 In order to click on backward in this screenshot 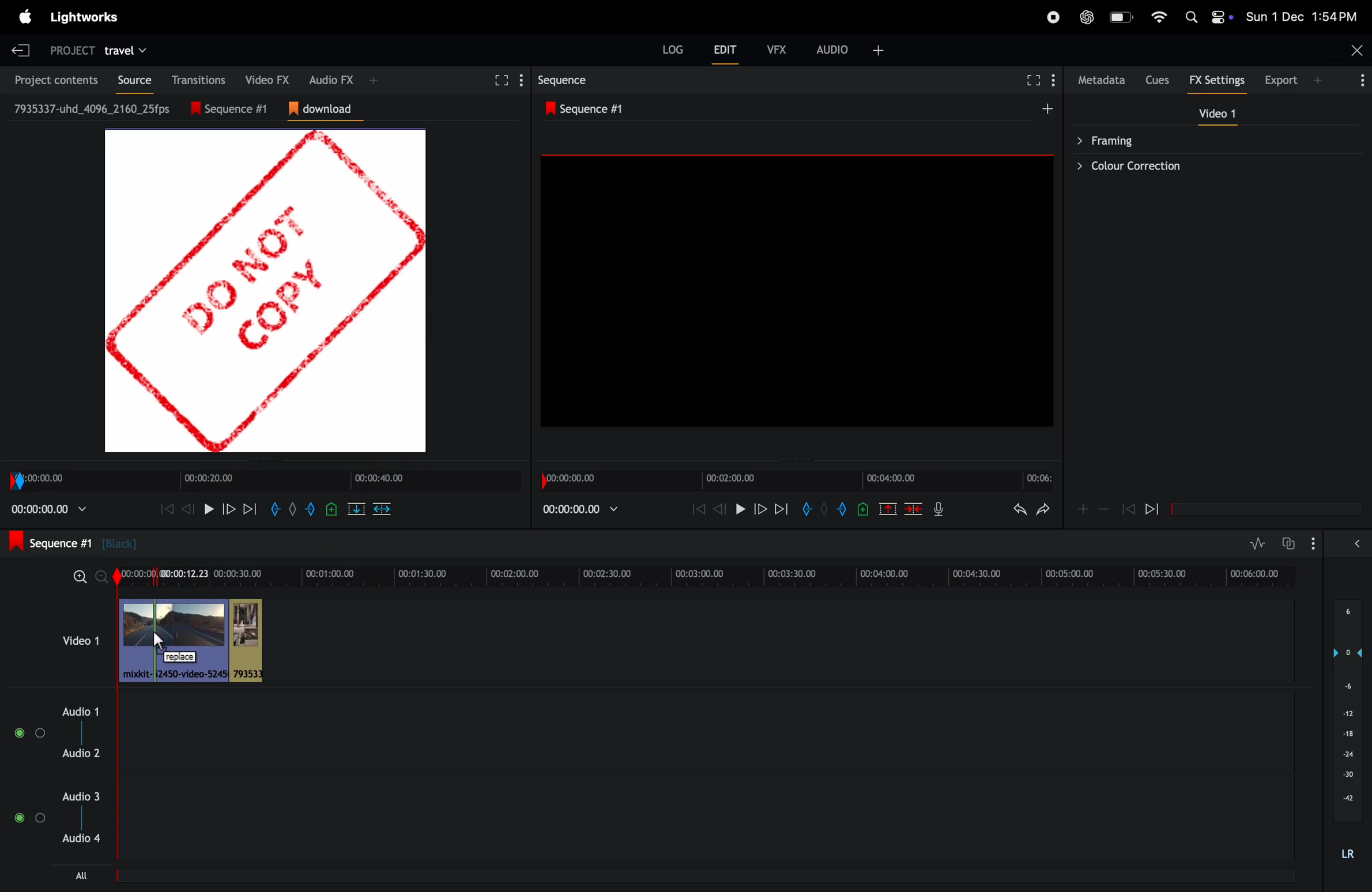, I will do `click(1128, 508)`.